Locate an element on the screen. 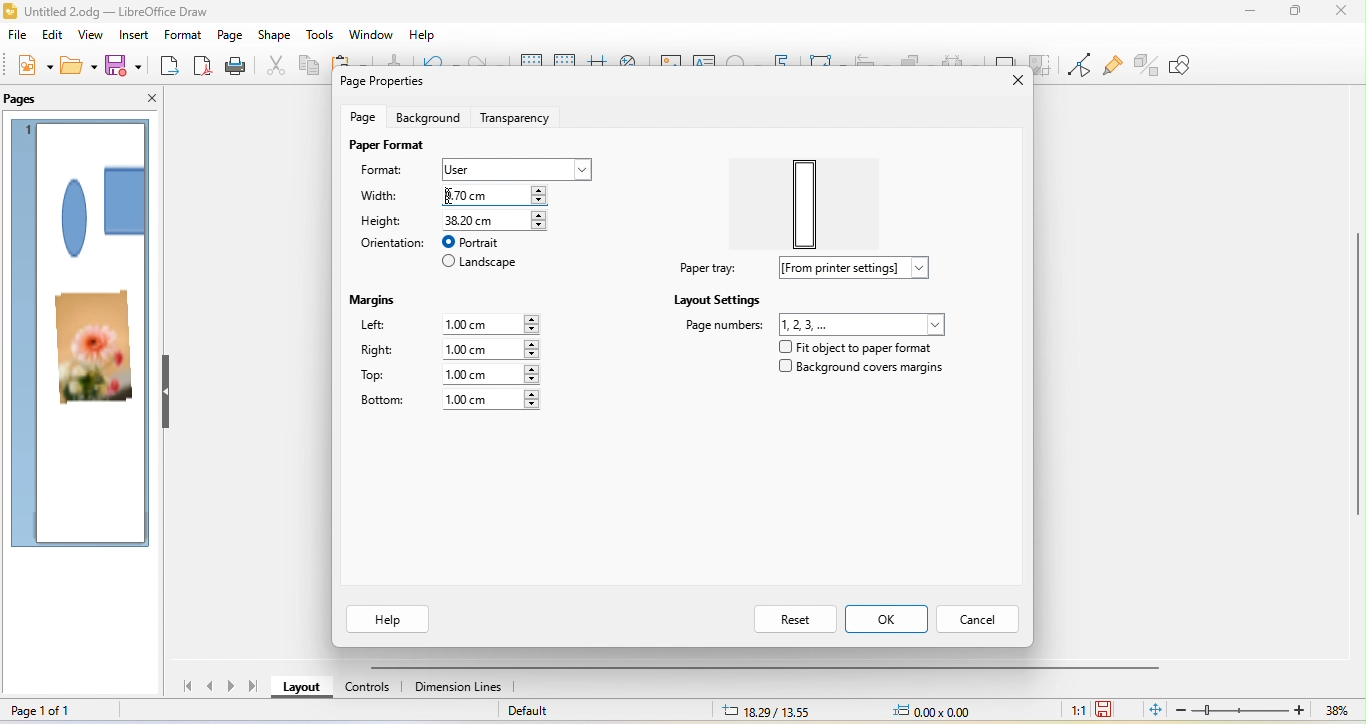 This screenshot has width=1366, height=724. layout settings is located at coordinates (721, 299).